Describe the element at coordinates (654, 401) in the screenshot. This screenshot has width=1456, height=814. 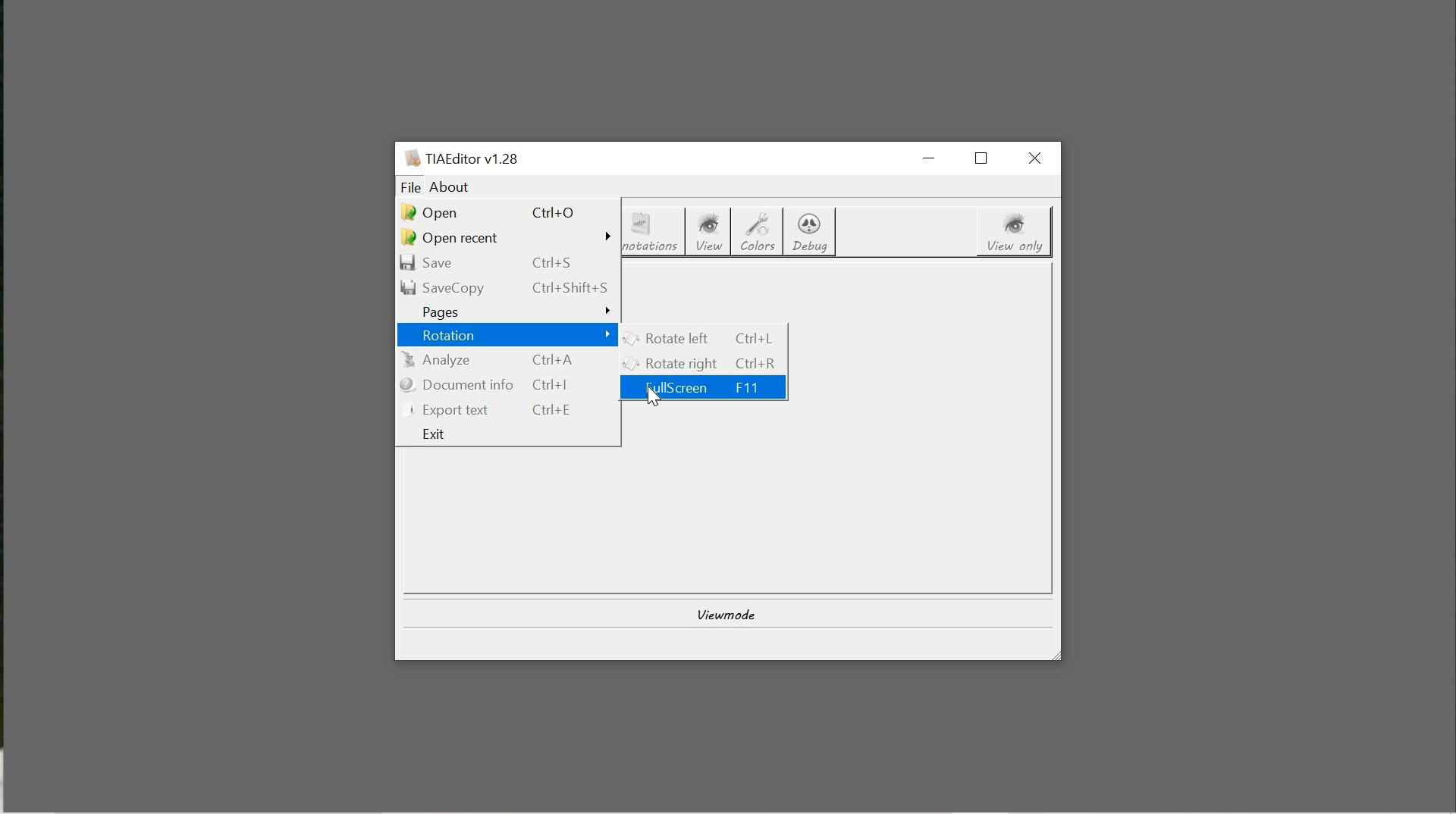
I see `CURSOR` at that location.